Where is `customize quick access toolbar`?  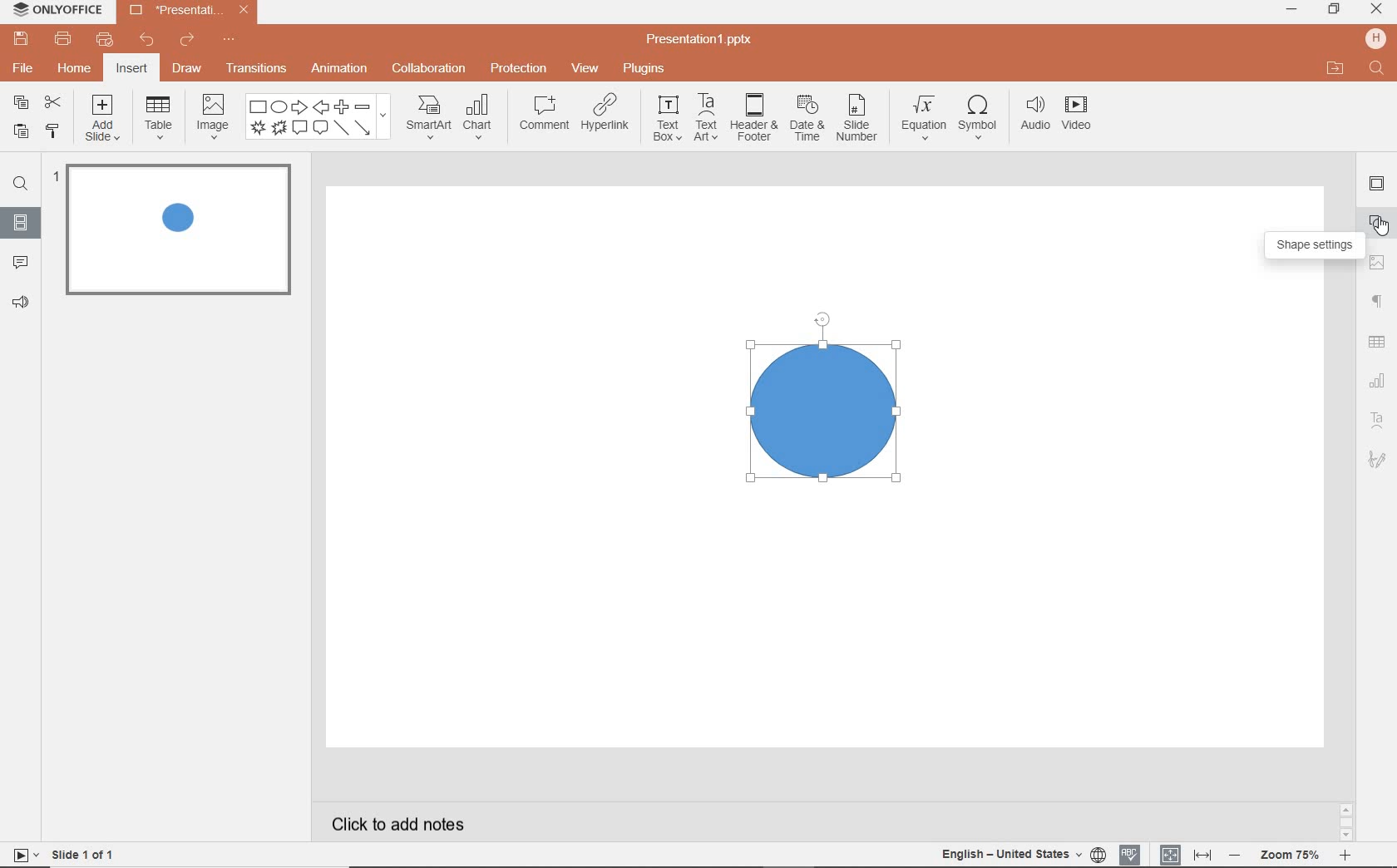
customize quick access toolbar is located at coordinates (230, 37).